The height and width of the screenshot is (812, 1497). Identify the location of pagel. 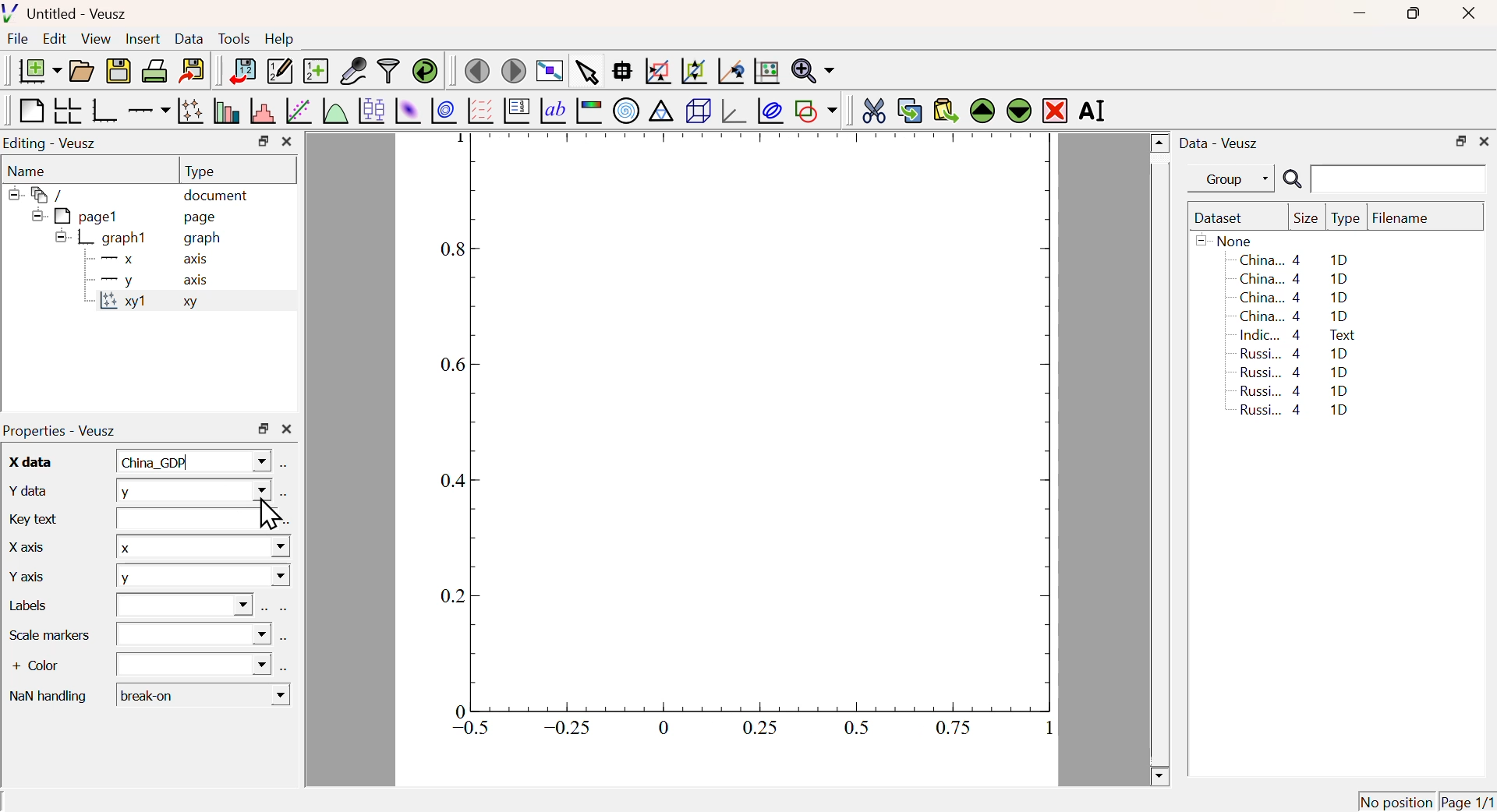
(71, 217).